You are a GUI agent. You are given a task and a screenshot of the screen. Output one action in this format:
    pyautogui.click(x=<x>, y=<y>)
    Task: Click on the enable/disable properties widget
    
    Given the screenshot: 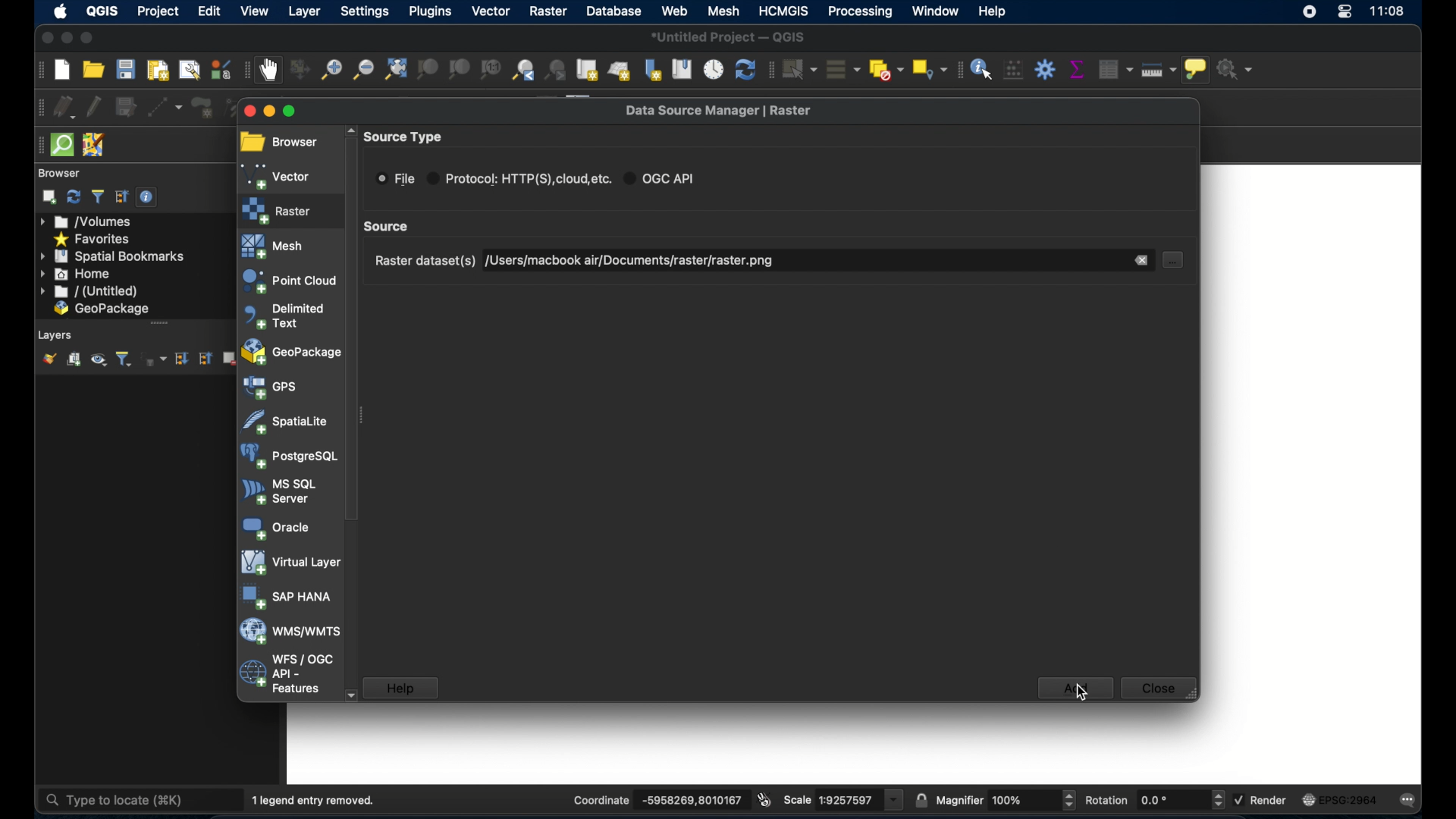 What is the action you would take?
    pyautogui.click(x=149, y=197)
    